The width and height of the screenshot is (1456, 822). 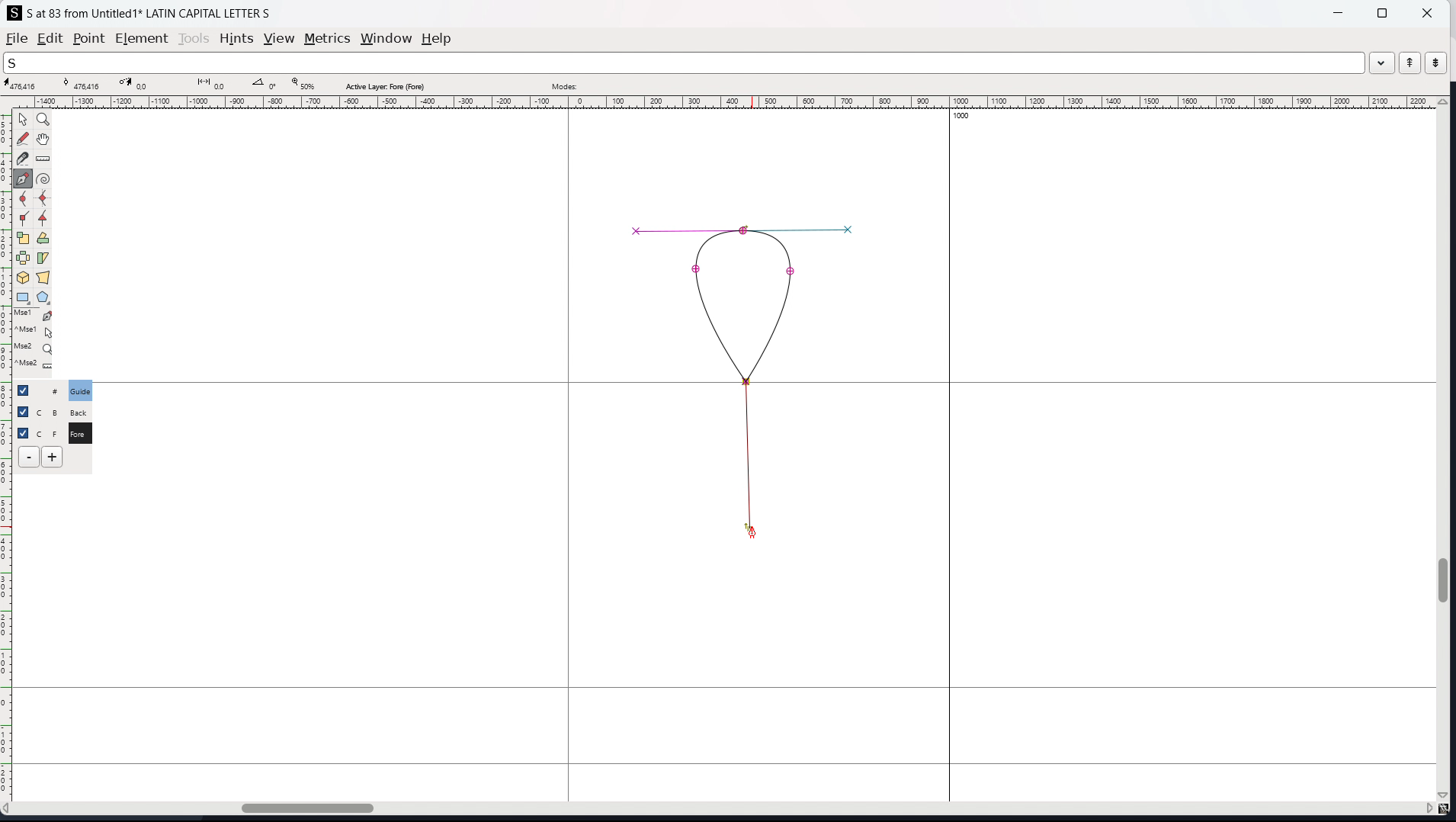 I want to click on scale the selection, so click(x=24, y=239).